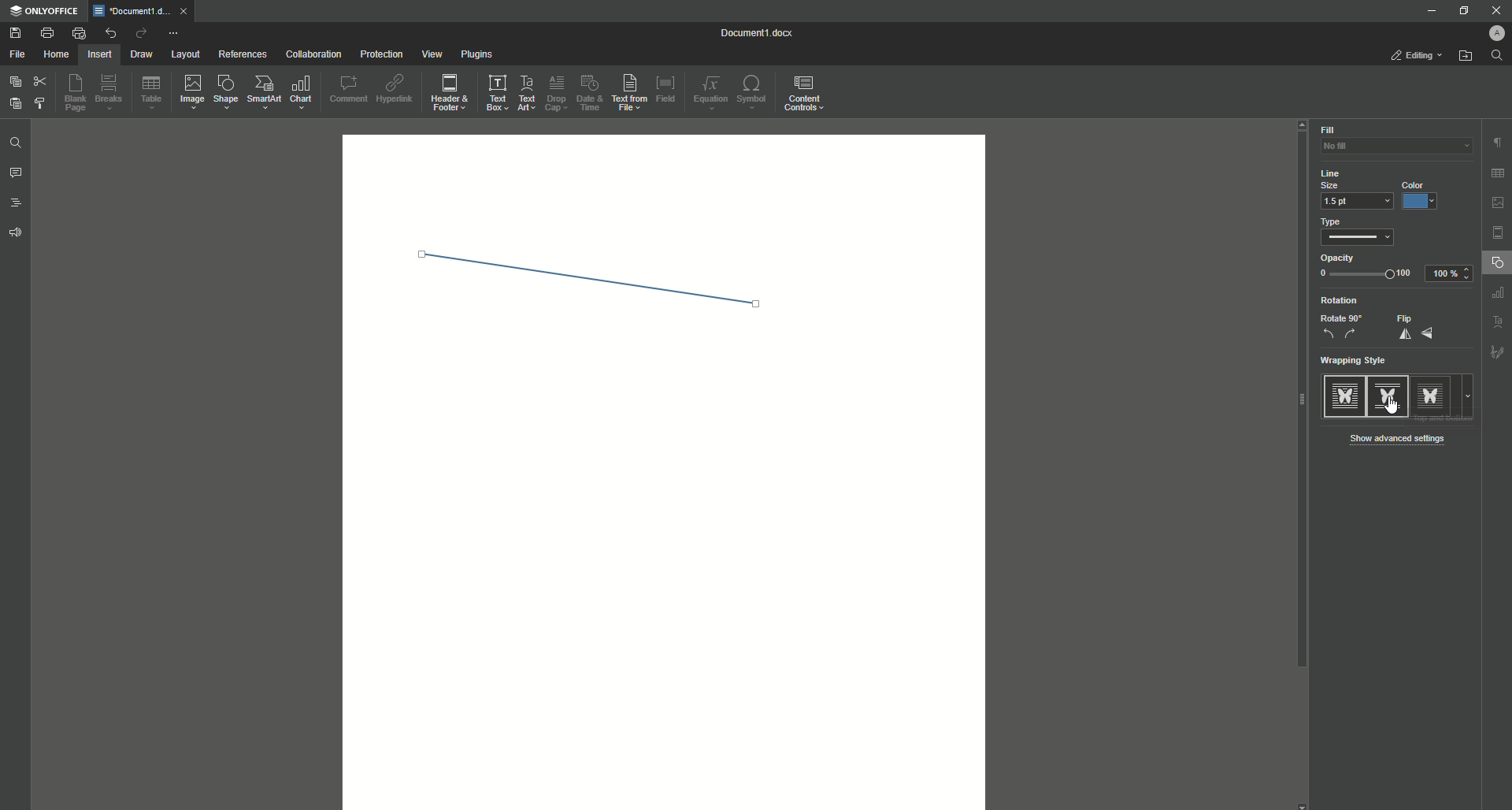 This screenshot has height=810, width=1512. Describe the element at coordinates (1386, 151) in the screenshot. I see `No Fill` at that location.